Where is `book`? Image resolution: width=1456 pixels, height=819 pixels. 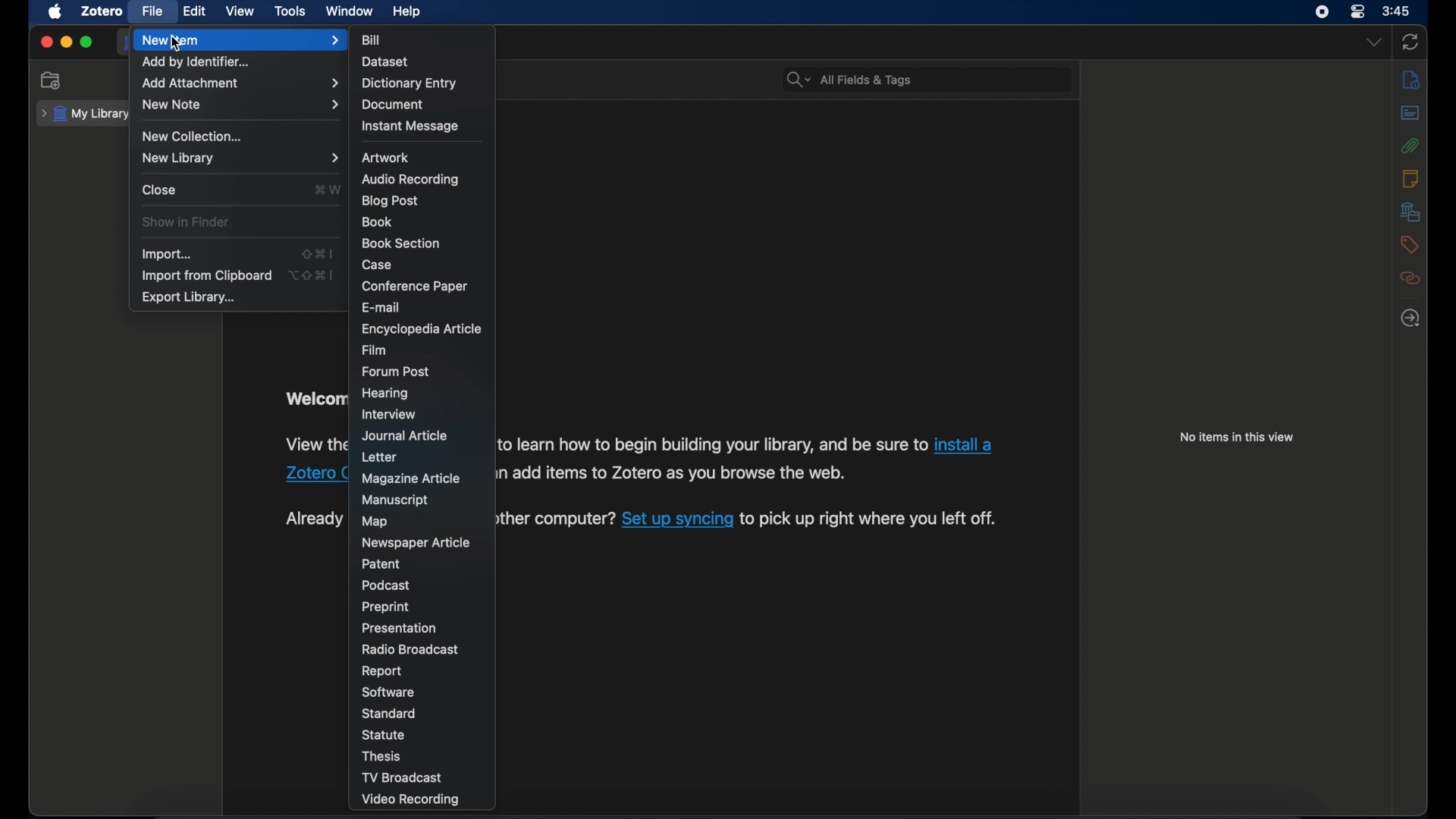
book is located at coordinates (376, 223).